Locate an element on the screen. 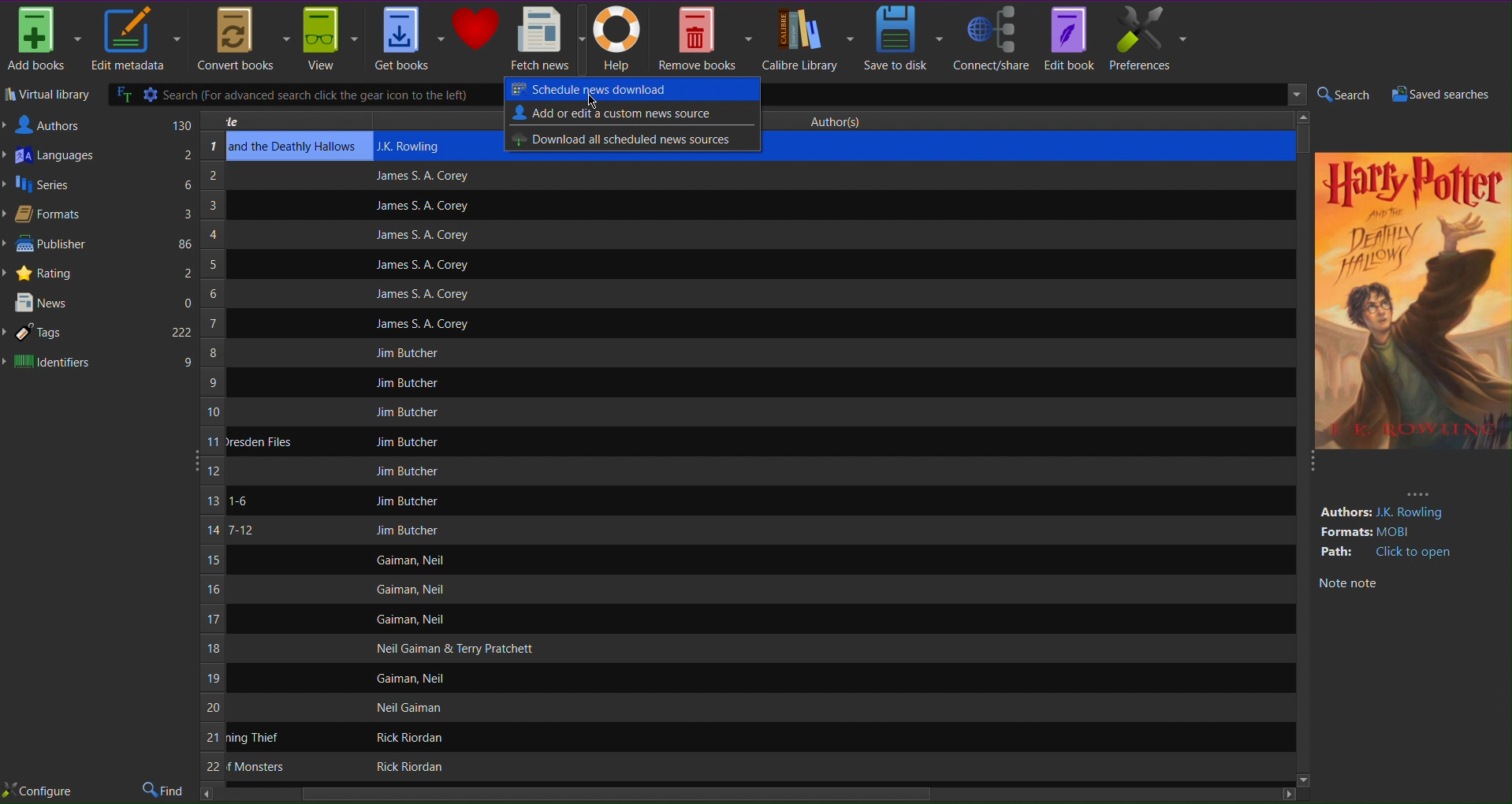  Series is located at coordinates (99, 186).